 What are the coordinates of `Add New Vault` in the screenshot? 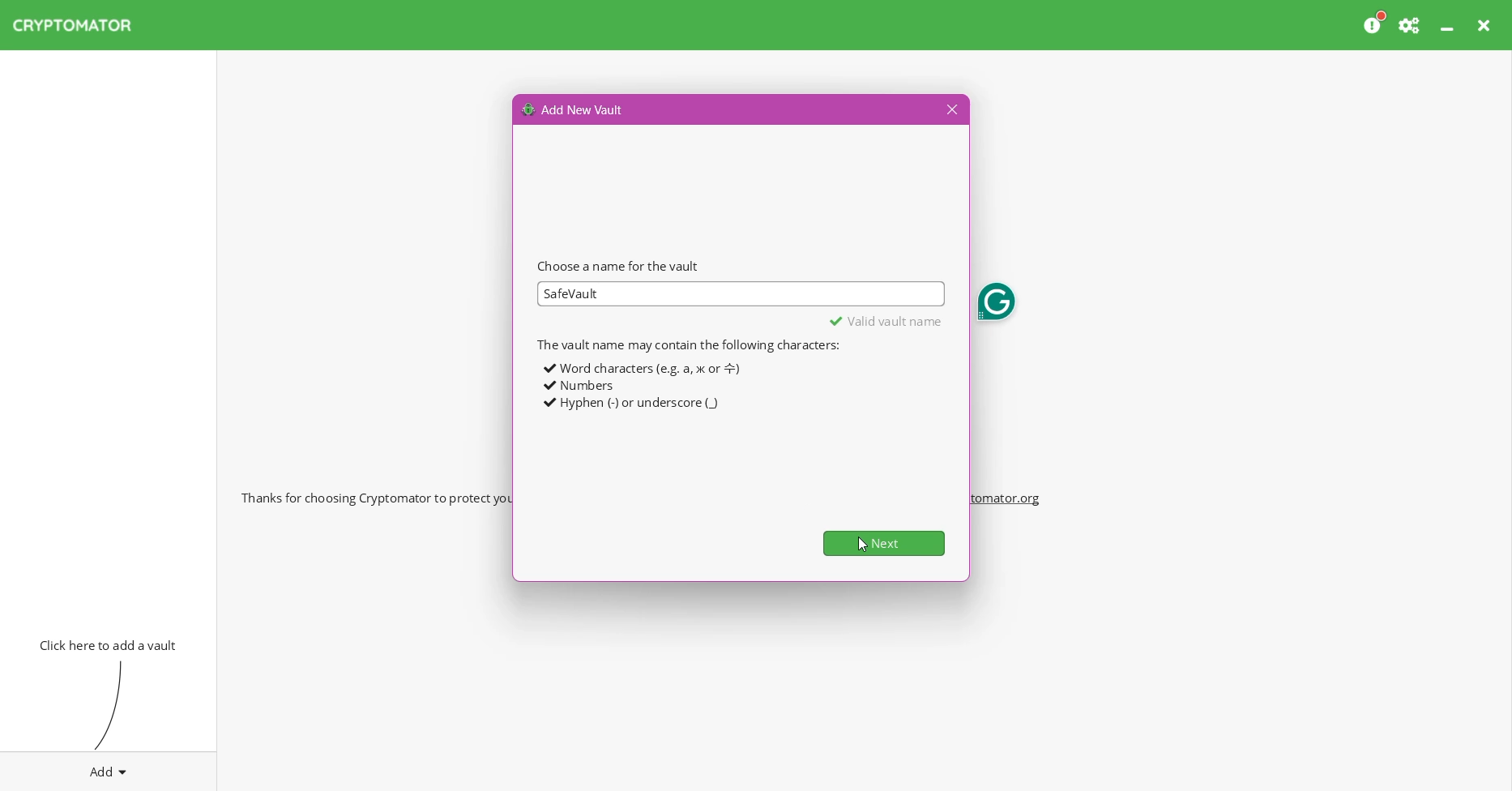 It's located at (574, 109).